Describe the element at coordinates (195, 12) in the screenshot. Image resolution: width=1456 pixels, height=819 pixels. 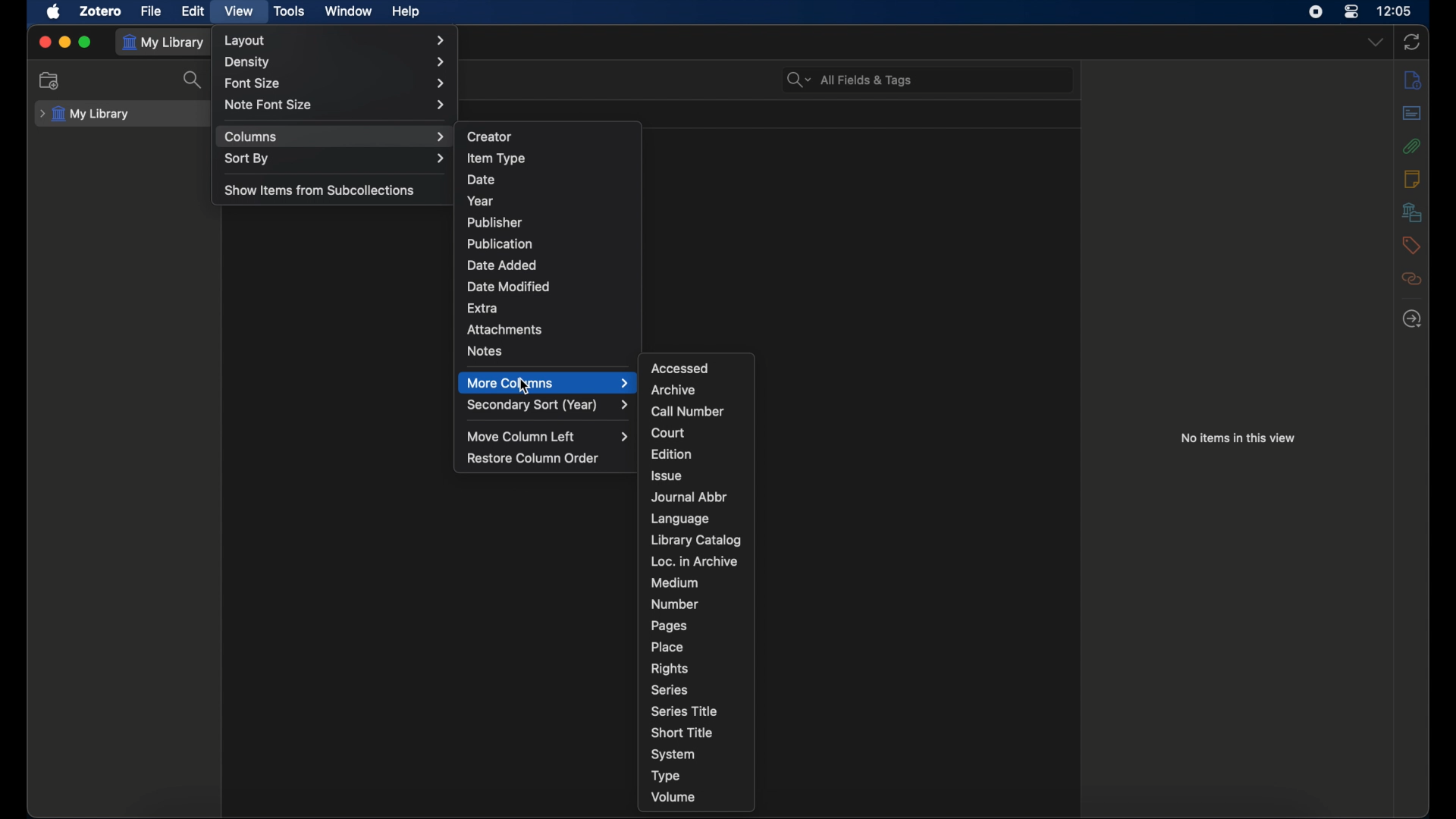
I see `edit` at that location.